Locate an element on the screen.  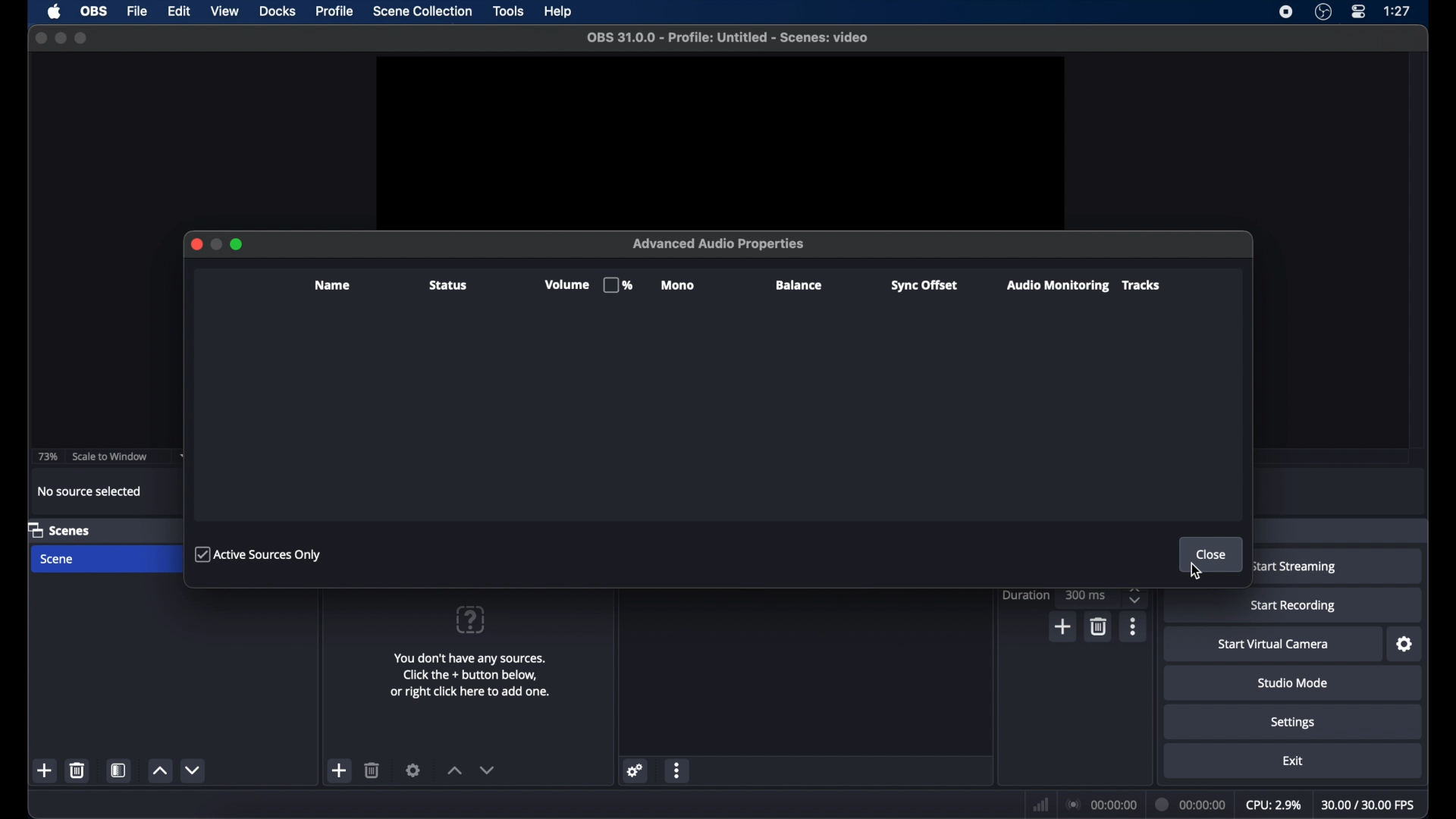
1.27 is located at coordinates (1398, 11).